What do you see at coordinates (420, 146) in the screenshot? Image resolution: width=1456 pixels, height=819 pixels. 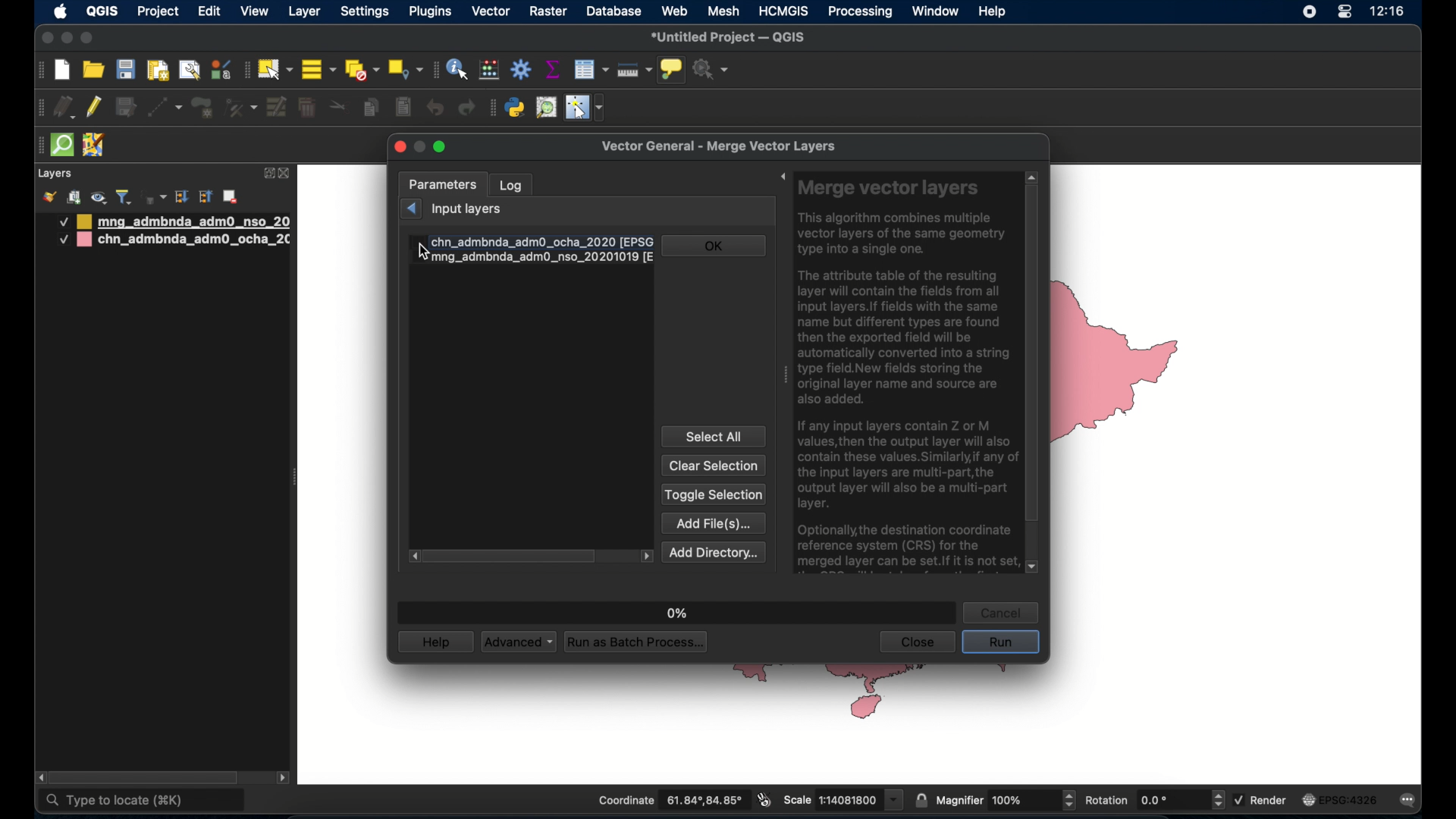 I see `minimize` at bounding box center [420, 146].